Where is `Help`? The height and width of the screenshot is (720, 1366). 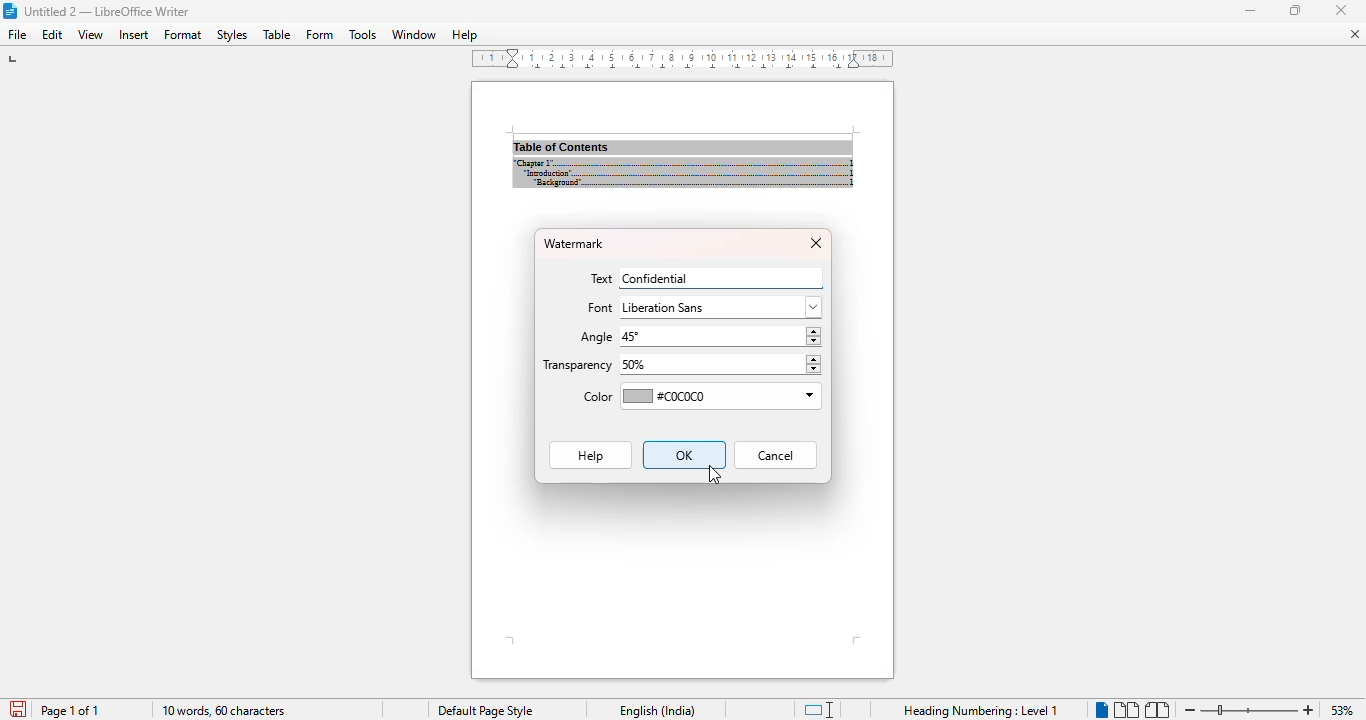
Help is located at coordinates (589, 455).